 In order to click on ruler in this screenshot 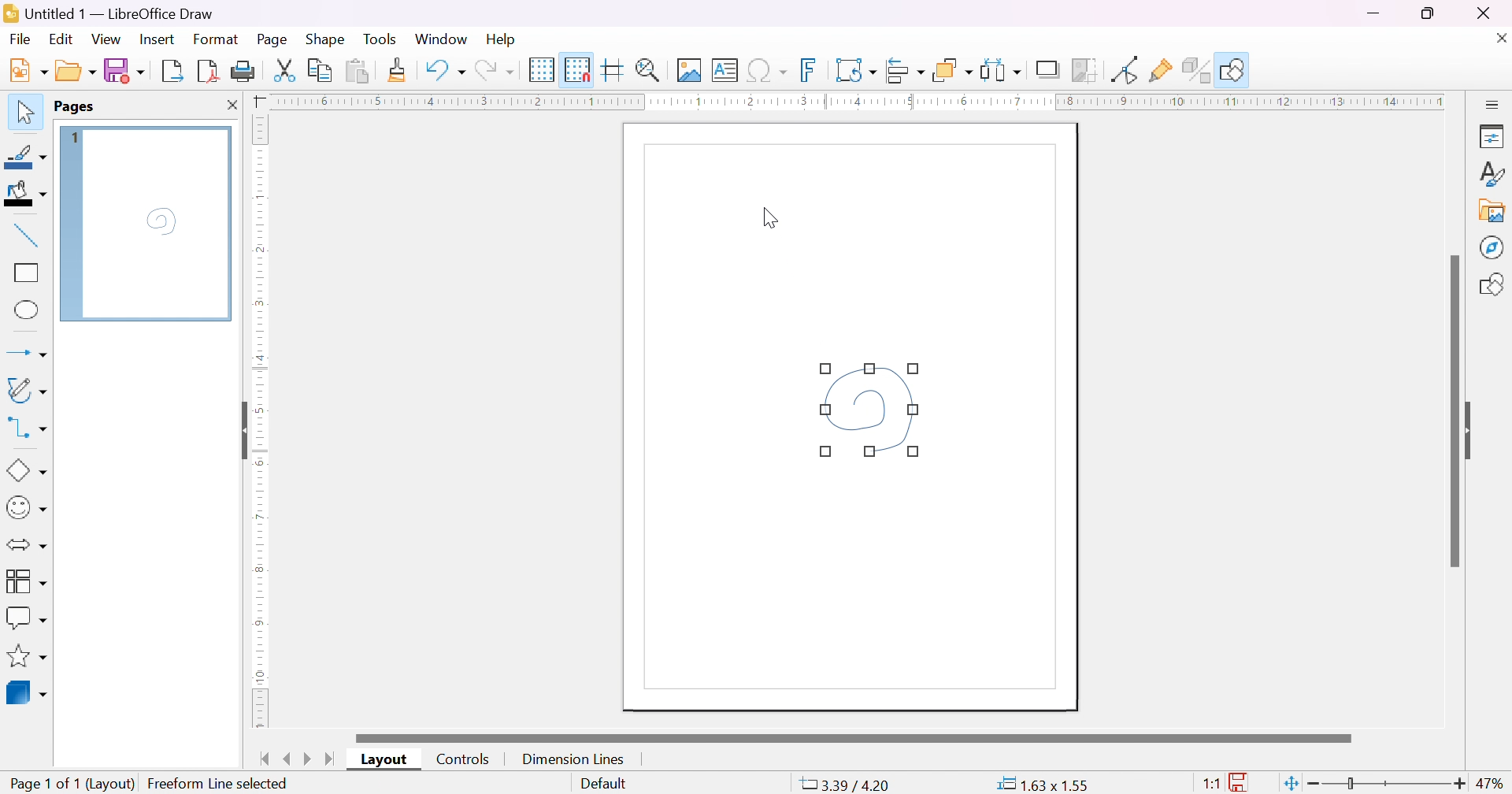, I will do `click(855, 101)`.